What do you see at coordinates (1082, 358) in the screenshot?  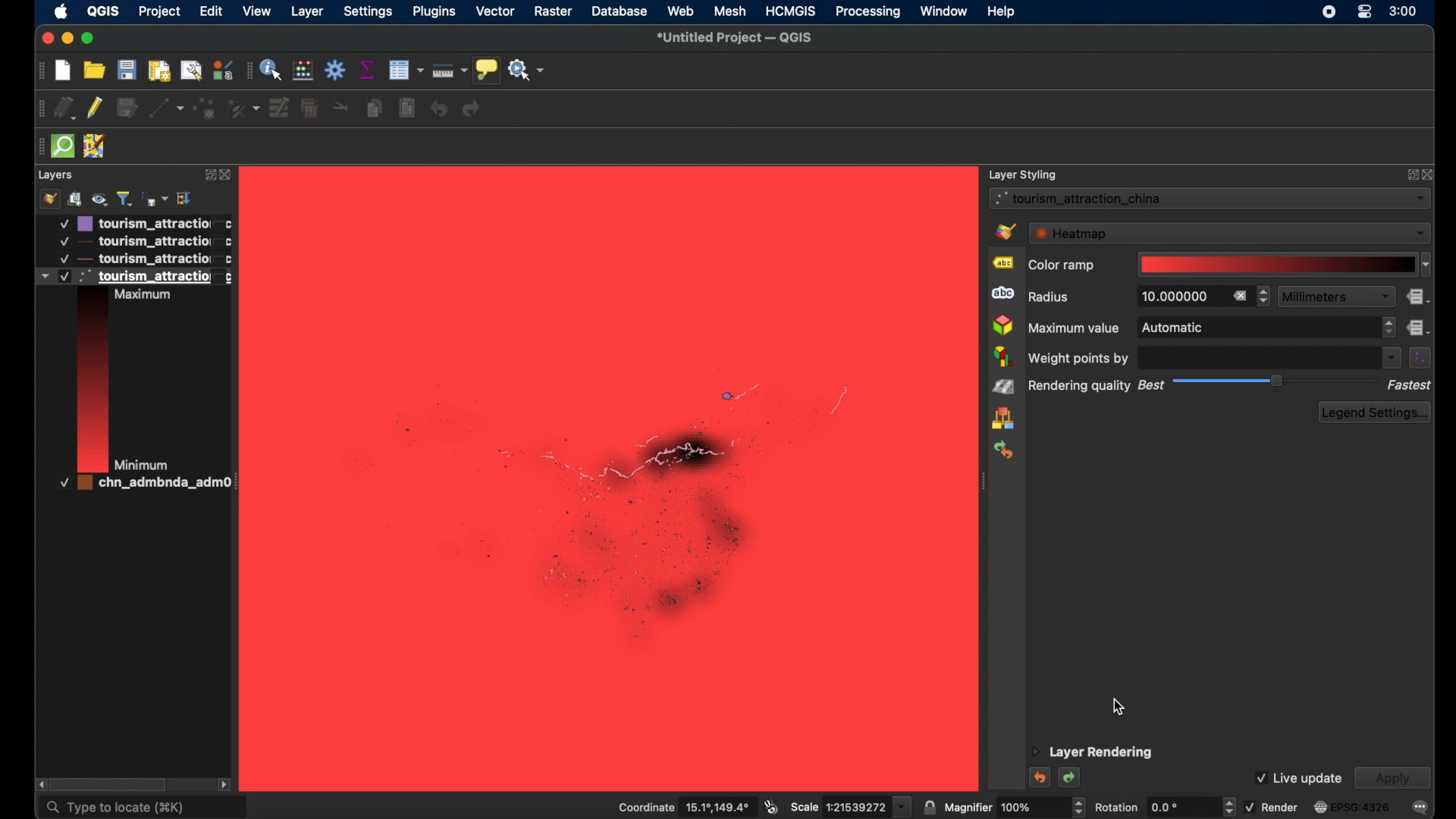 I see `weight points by` at bounding box center [1082, 358].